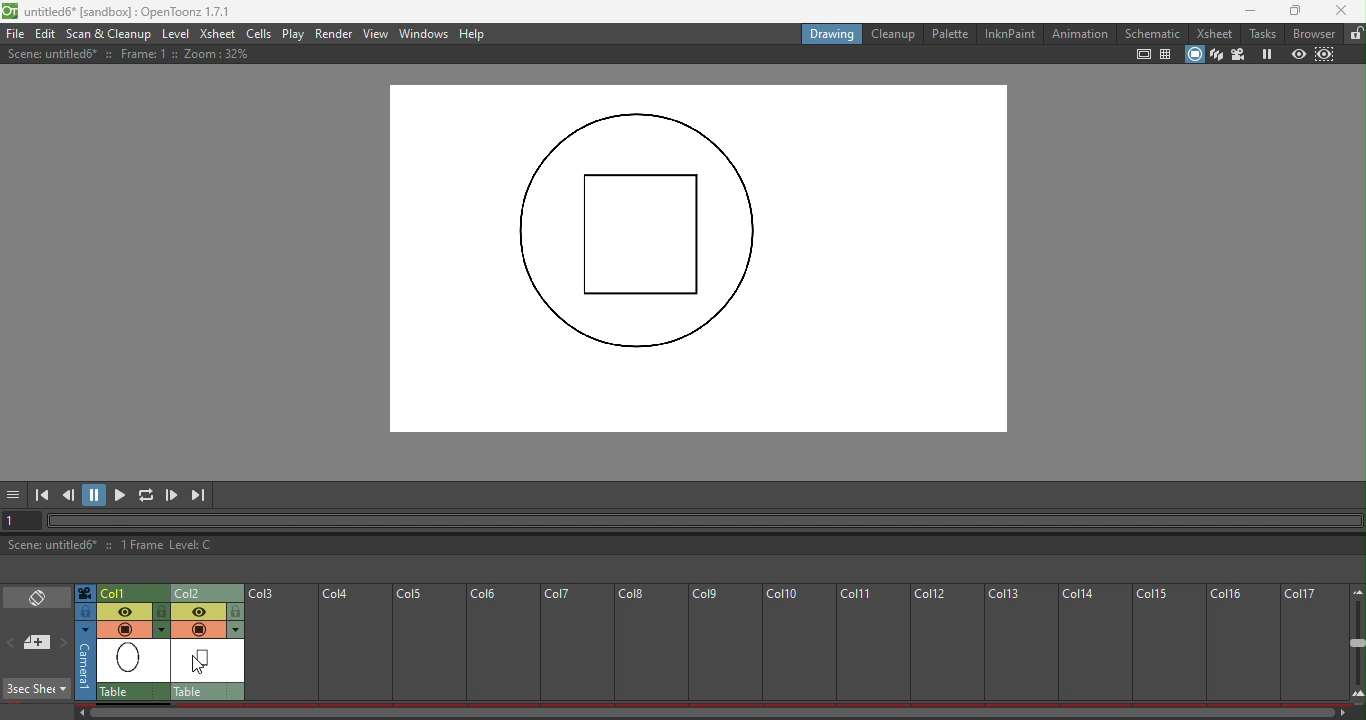  Describe the element at coordinates (42, 495) in the screenshot. I see `First frame` at that location.